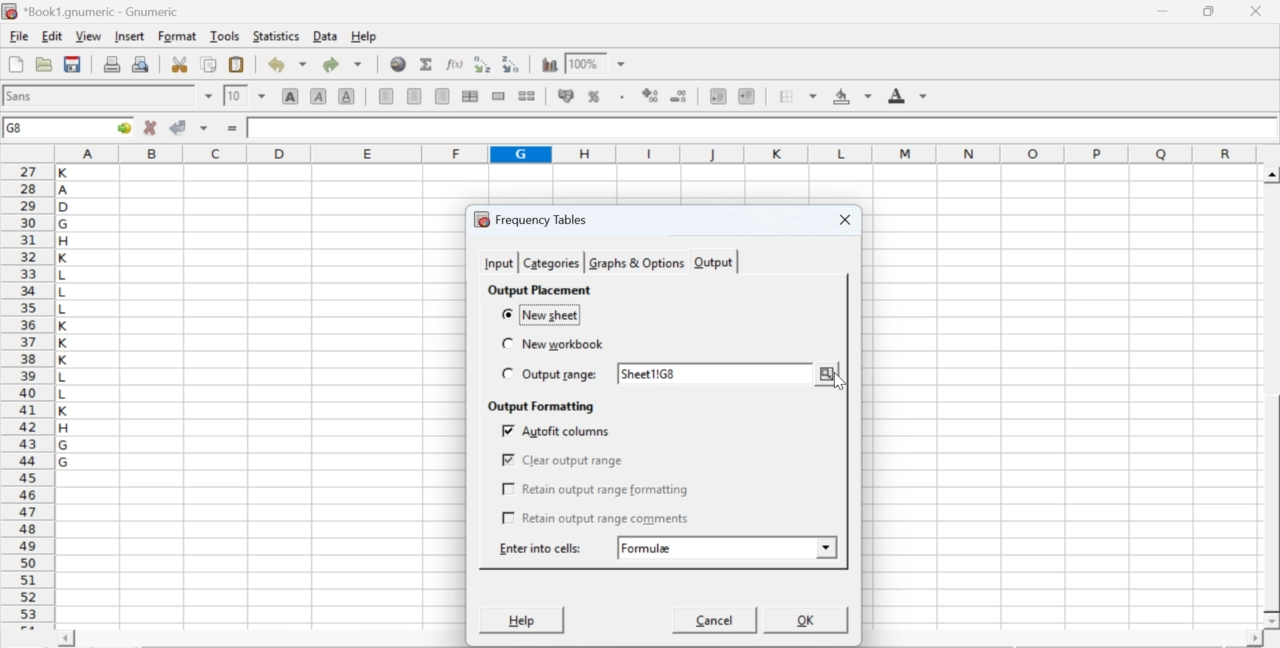  Describe the element at coordinates (52, 36) in the screenshot. I see `edit` at that location.